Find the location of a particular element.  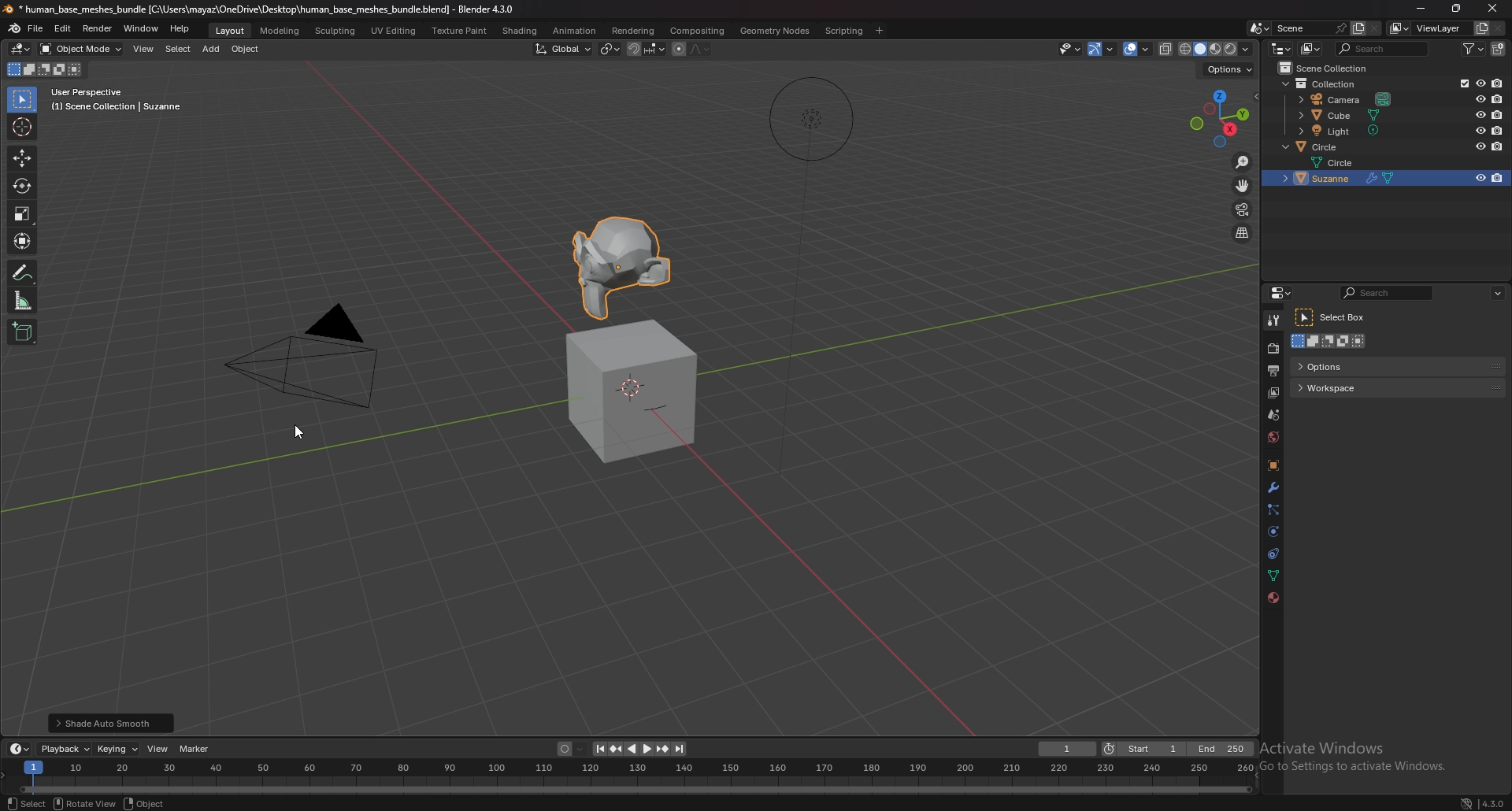

window is located at coordinates (142, 28).